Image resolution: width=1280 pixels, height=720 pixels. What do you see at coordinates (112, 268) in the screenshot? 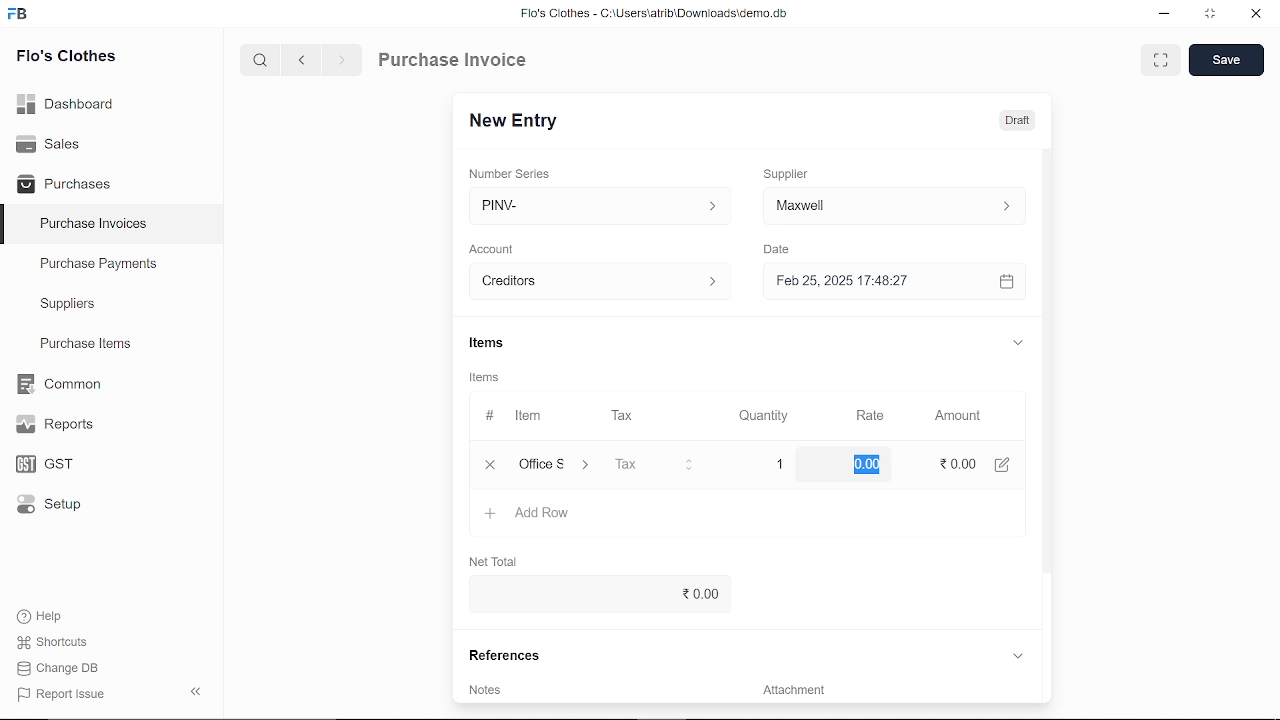
I see `Purchase Payments` at bounding box center [112, 268].